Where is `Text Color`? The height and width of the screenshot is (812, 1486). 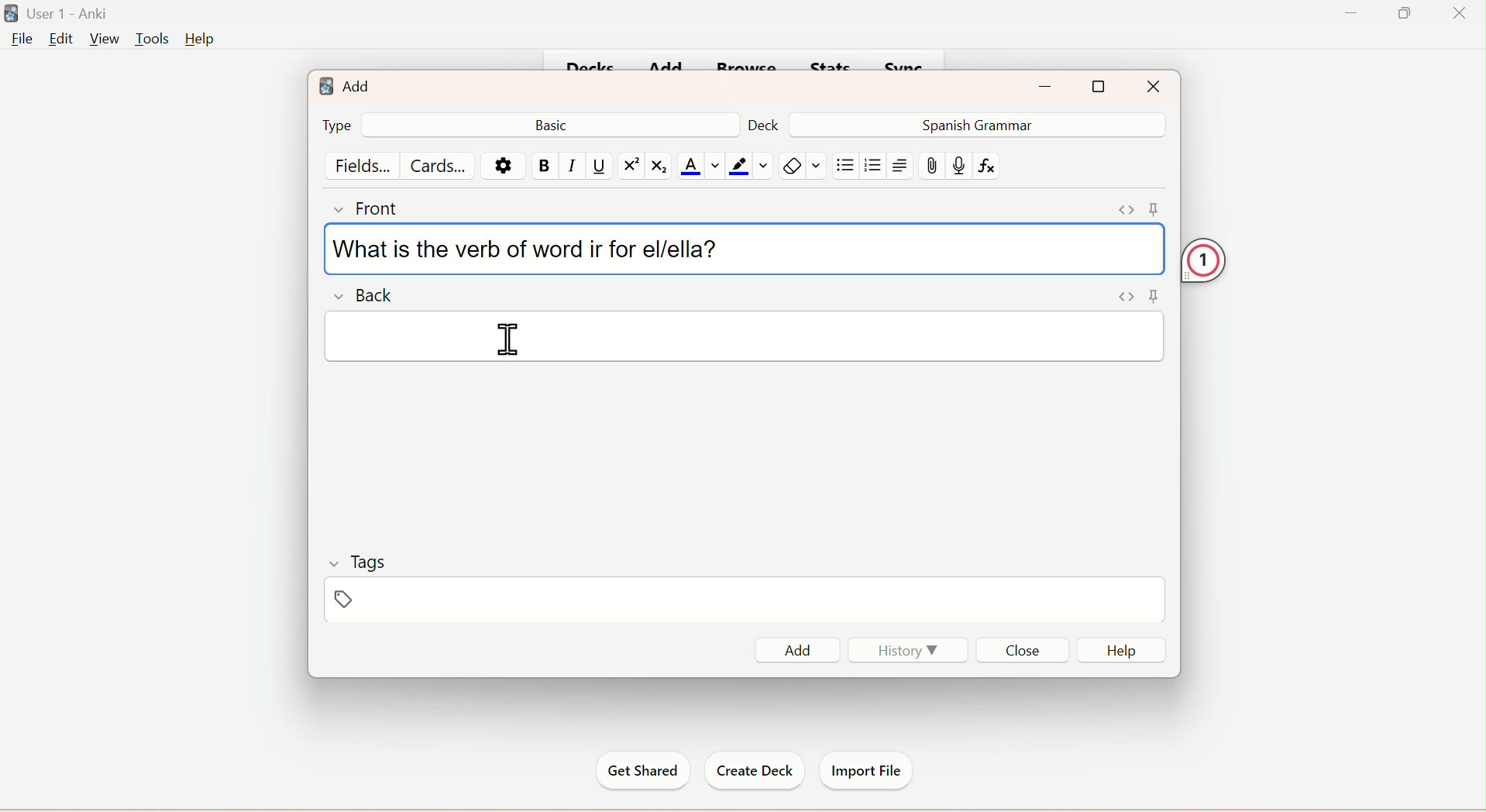 Text Color is located at coordinates (699, 167).